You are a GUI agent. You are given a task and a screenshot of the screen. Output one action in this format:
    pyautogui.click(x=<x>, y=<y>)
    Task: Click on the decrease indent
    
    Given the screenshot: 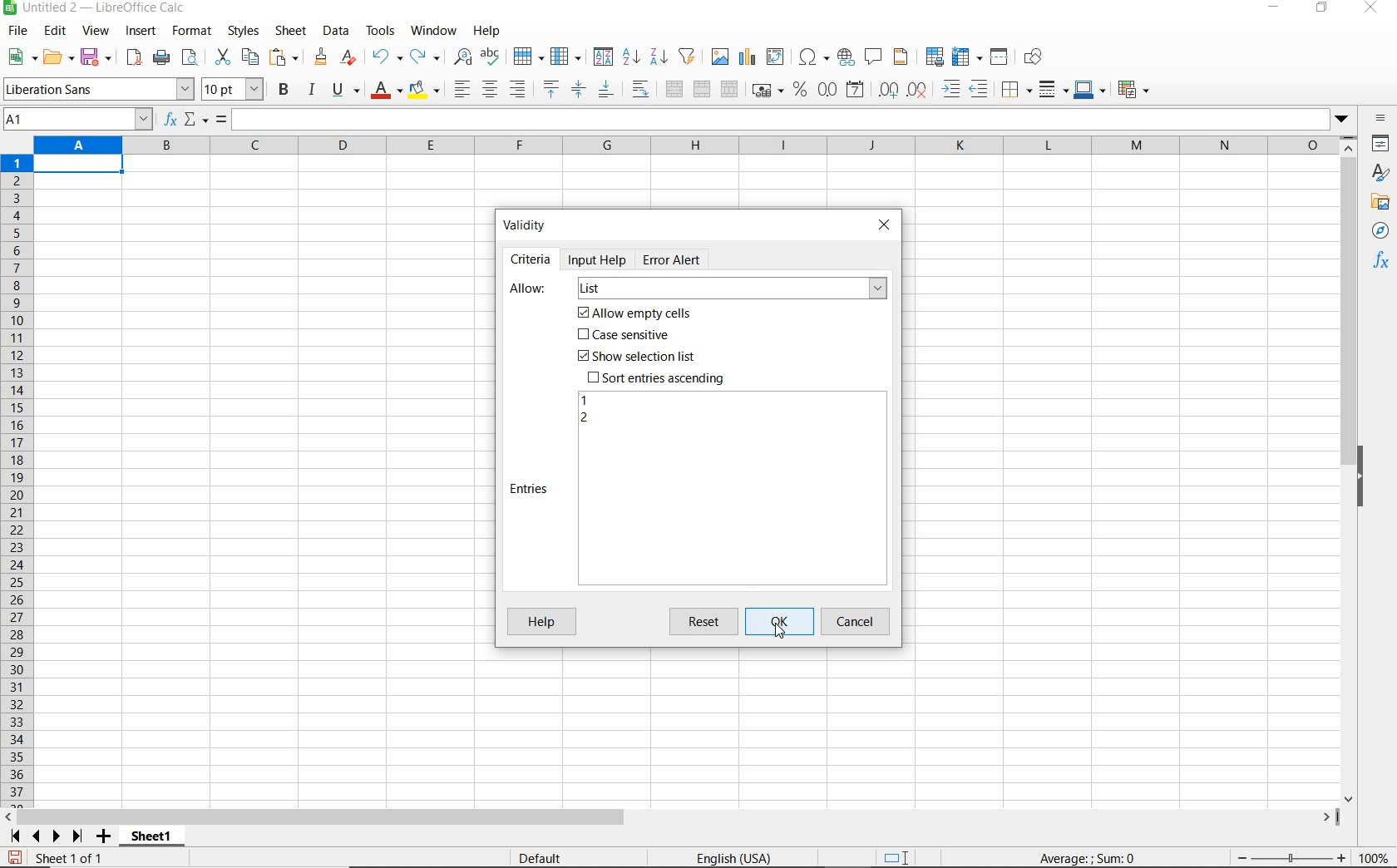 What is the action you would take?
    pyautogui.click(x=983, y=89)
    